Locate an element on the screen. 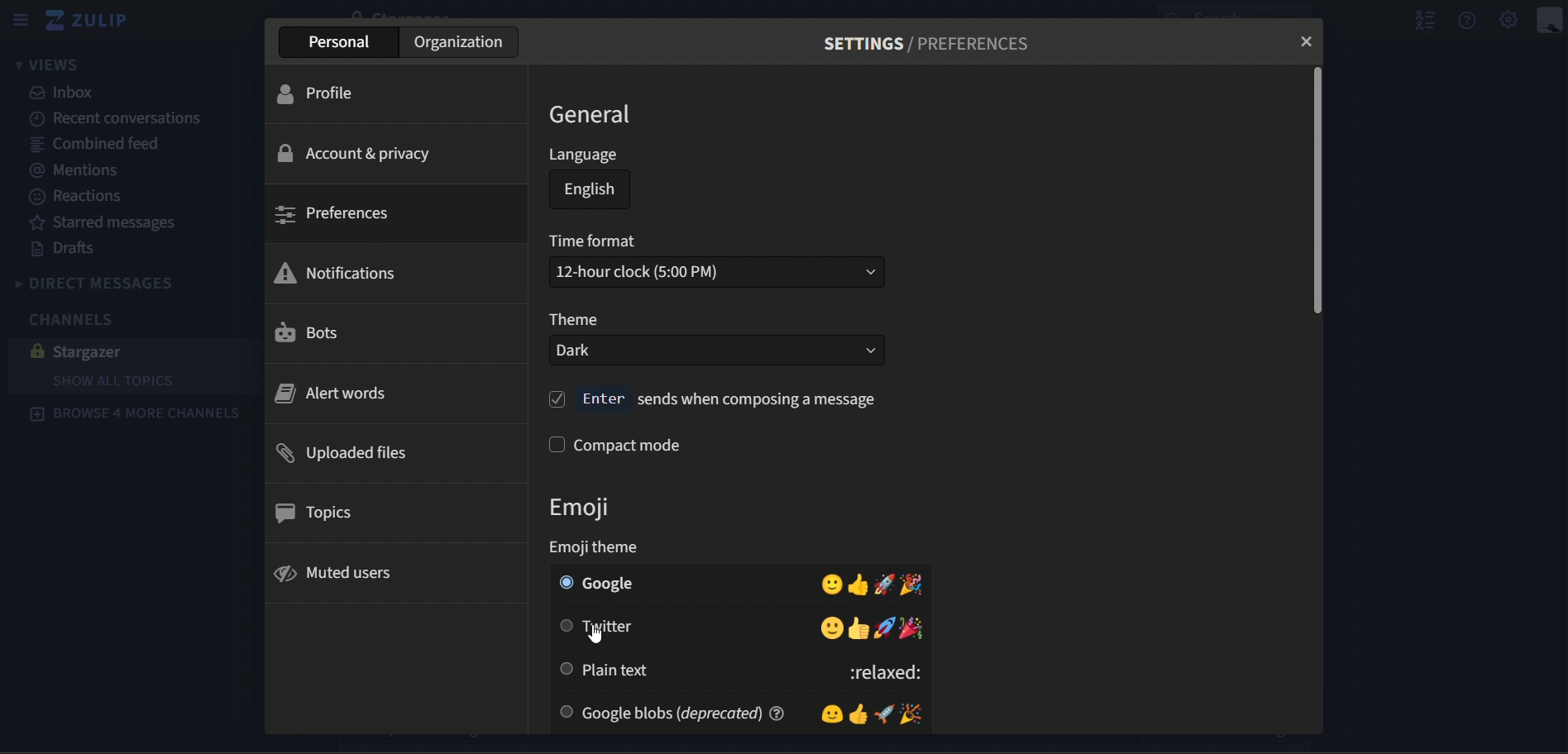  direct messages is located at coordinates (110, 282).